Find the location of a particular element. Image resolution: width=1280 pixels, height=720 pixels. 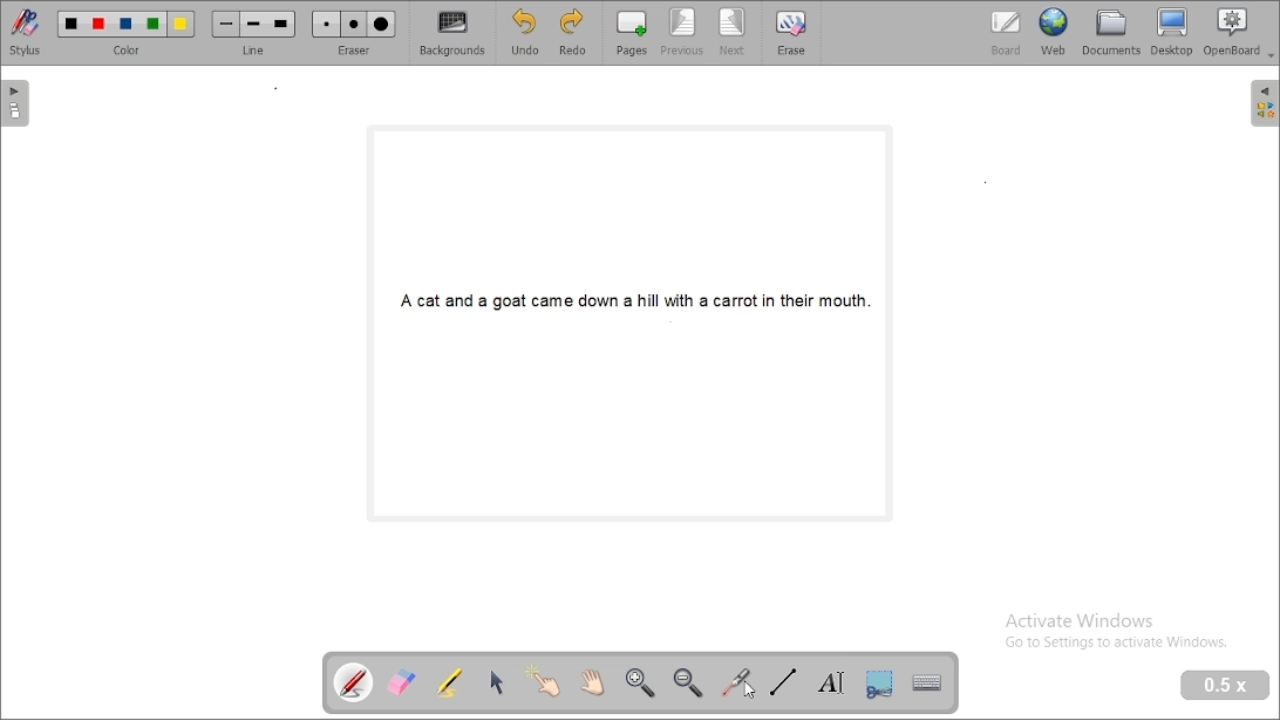

pages pane is located at coordinates (18, 103).